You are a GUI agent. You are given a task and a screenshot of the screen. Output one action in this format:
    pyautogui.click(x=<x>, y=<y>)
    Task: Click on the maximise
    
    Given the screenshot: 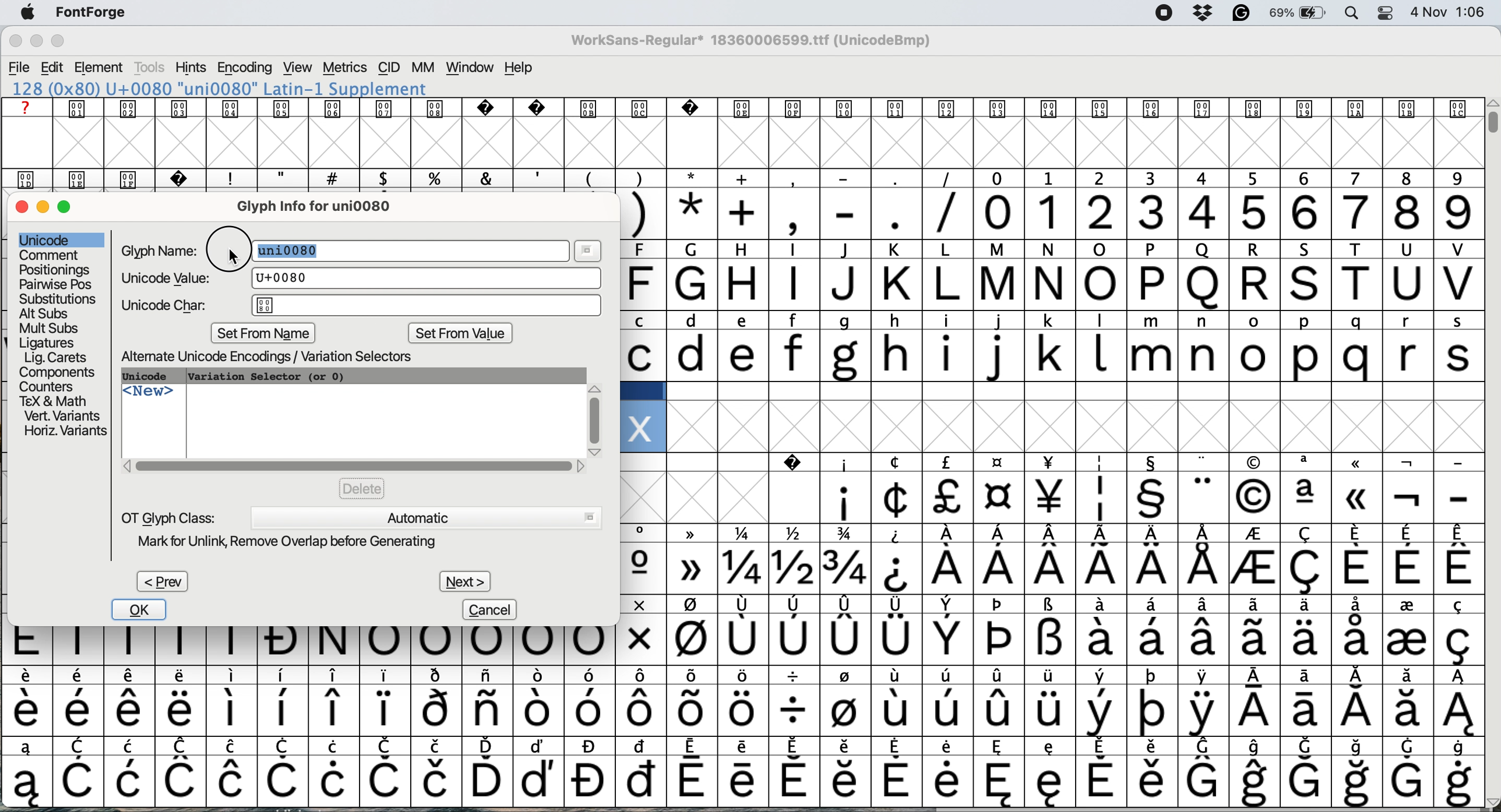 What is the action you would take?
    pyautogui.click(x=71, y=211)
    